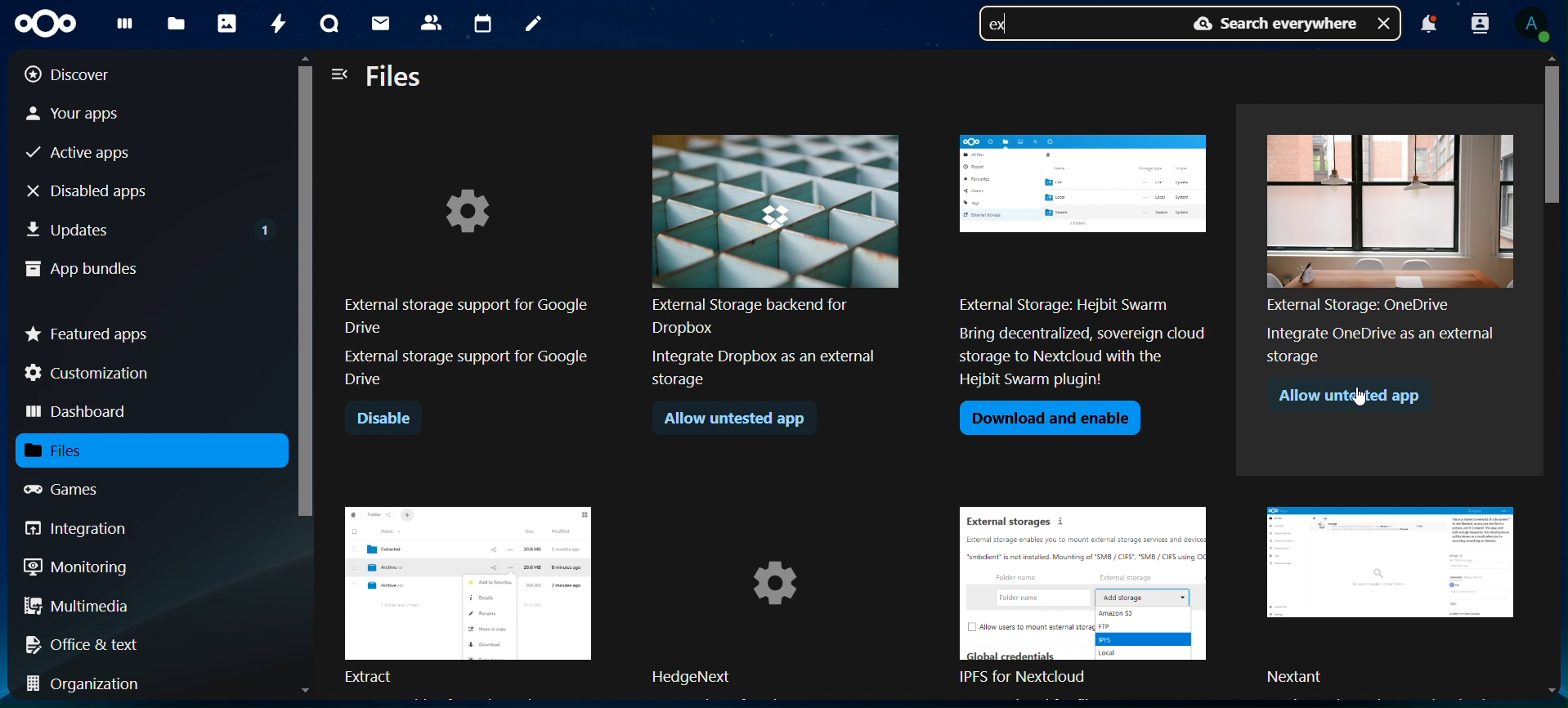  Describe the element at coordinates (1386, 22) in the screenshot. I see `close` at that location.